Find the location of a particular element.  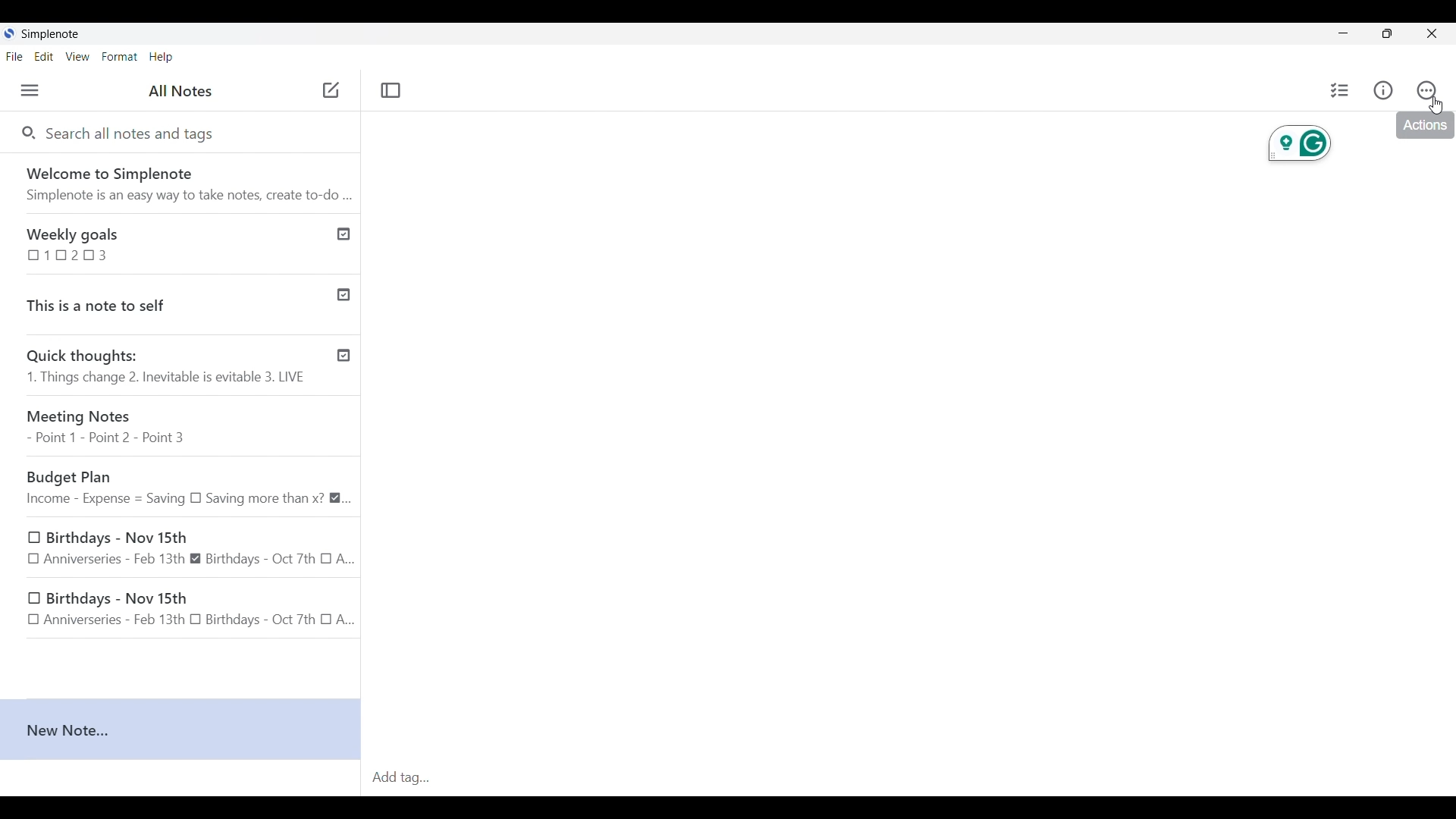

Show interface in a smaller tab is located at coordinates (1388, 33).